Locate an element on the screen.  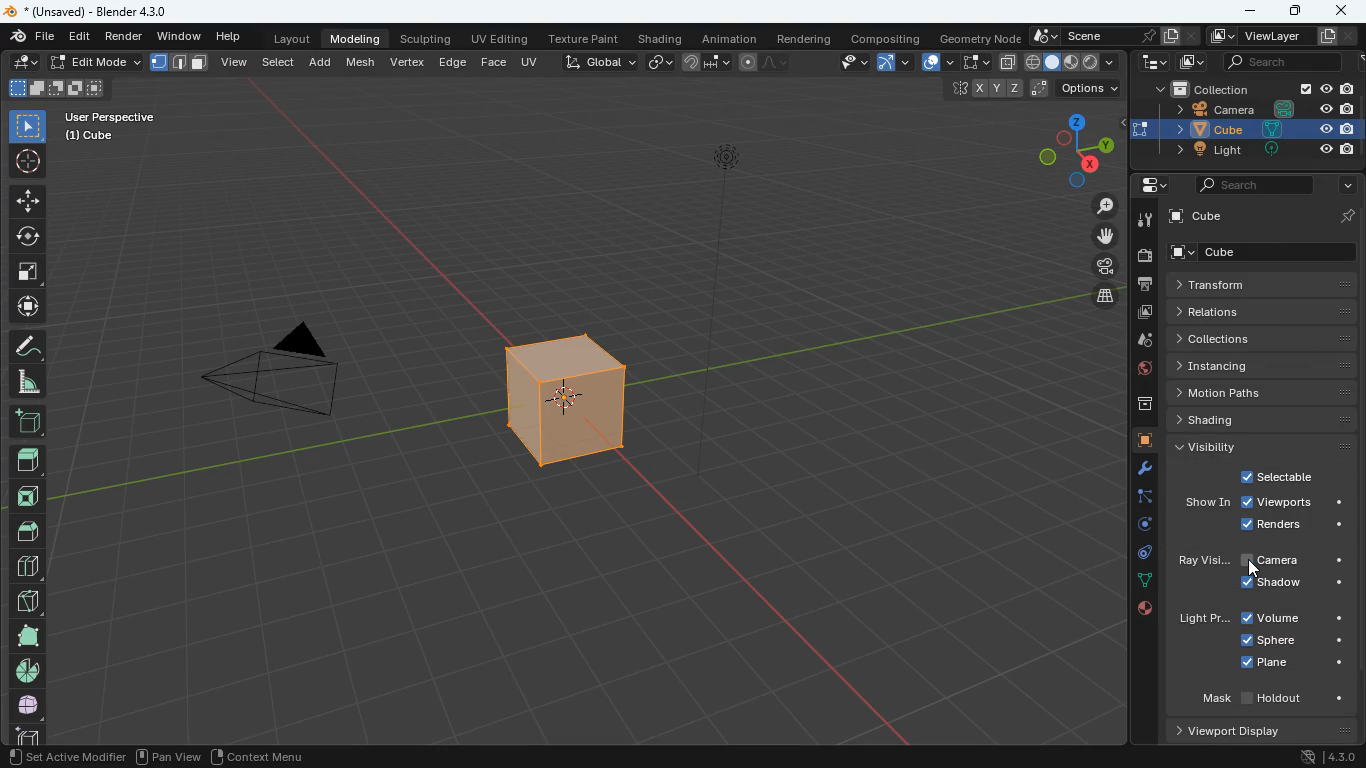
postion is located at coordinates (1036, 89).